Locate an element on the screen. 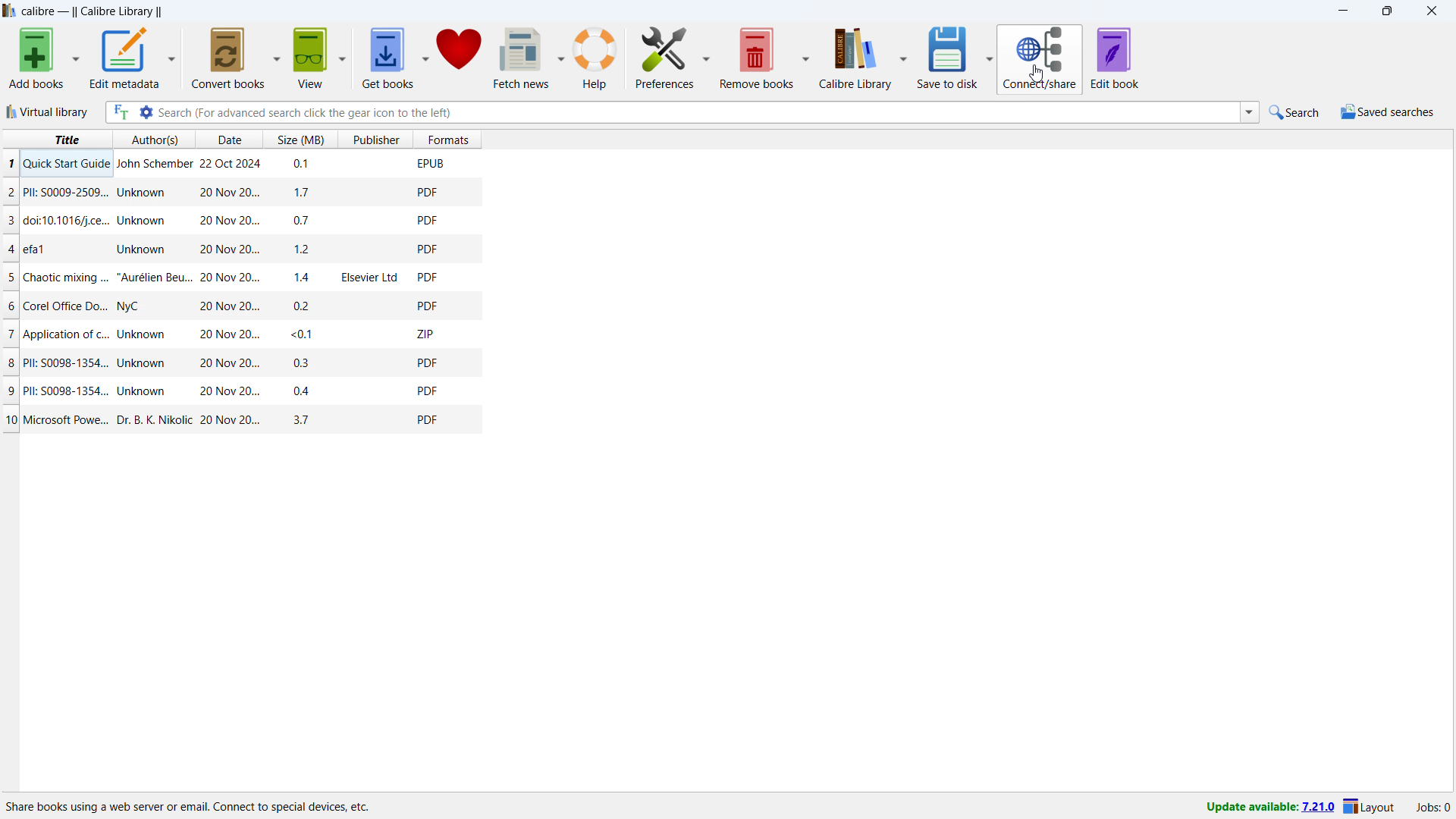 This screenshot has width=1456, height=819. maximize is located at coordinates (1386, 11).